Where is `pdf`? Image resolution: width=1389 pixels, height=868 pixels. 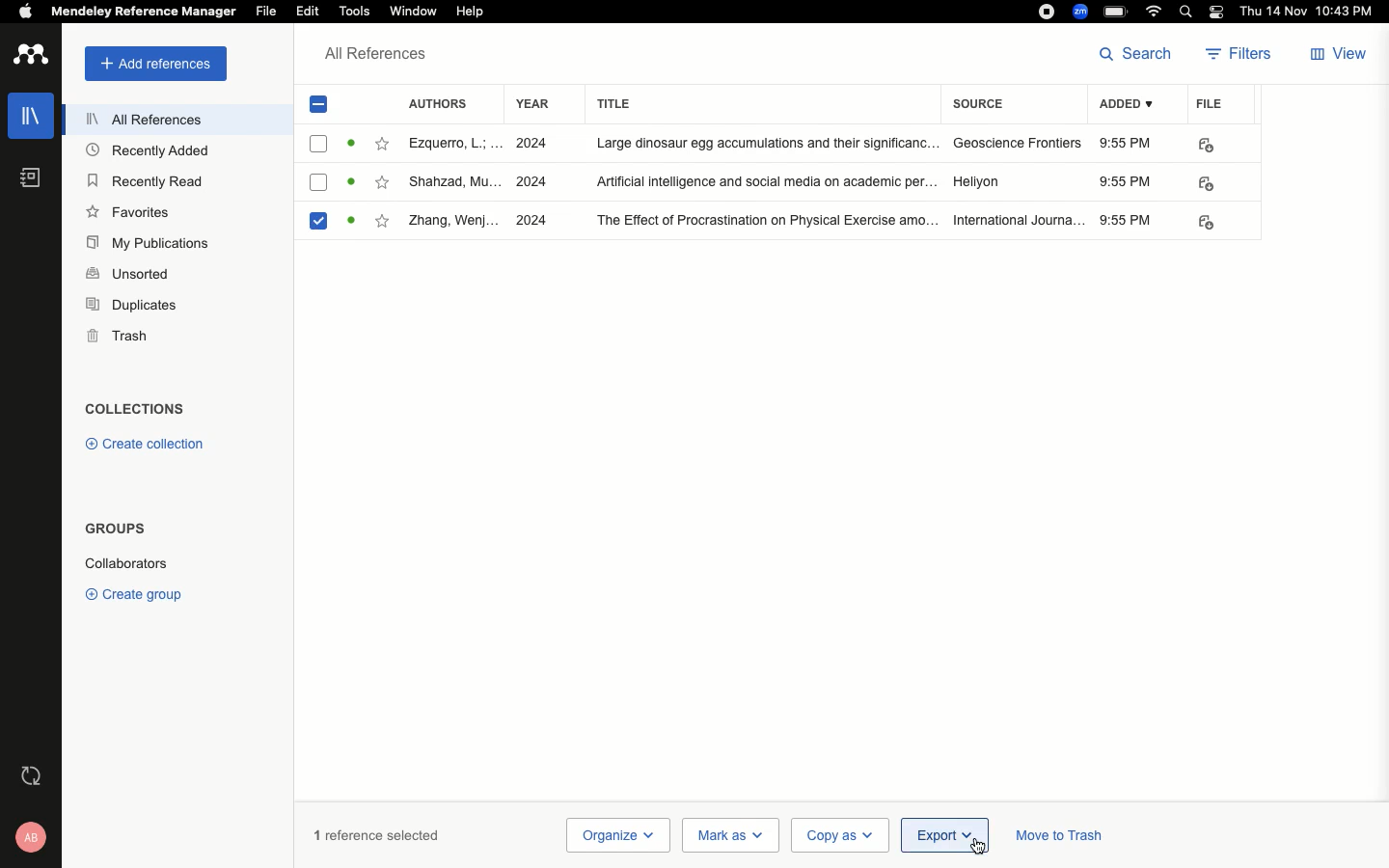 pdf is located at coordinates (1205, 223).